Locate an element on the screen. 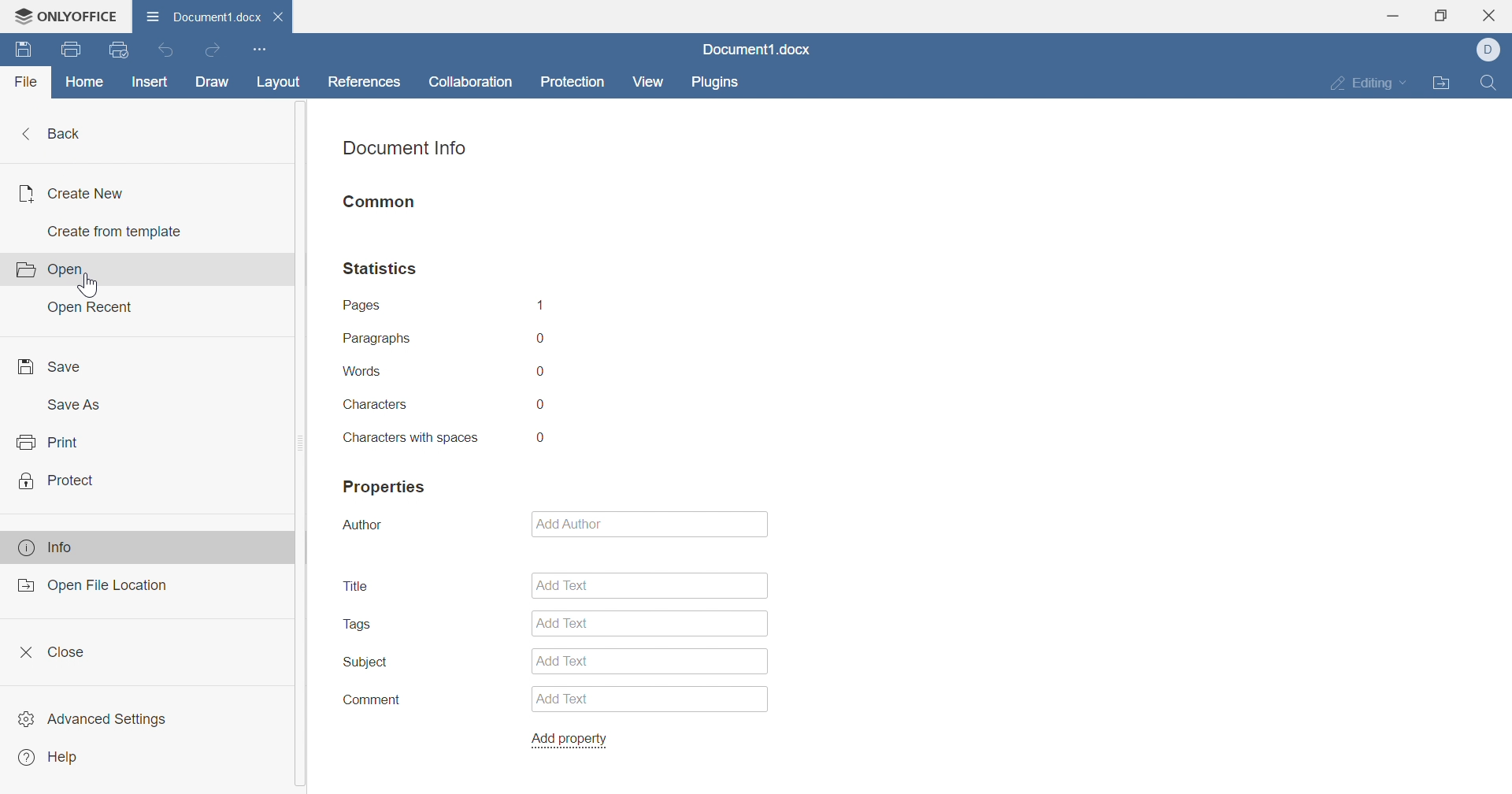  close is located at coordinates (1492, 17).